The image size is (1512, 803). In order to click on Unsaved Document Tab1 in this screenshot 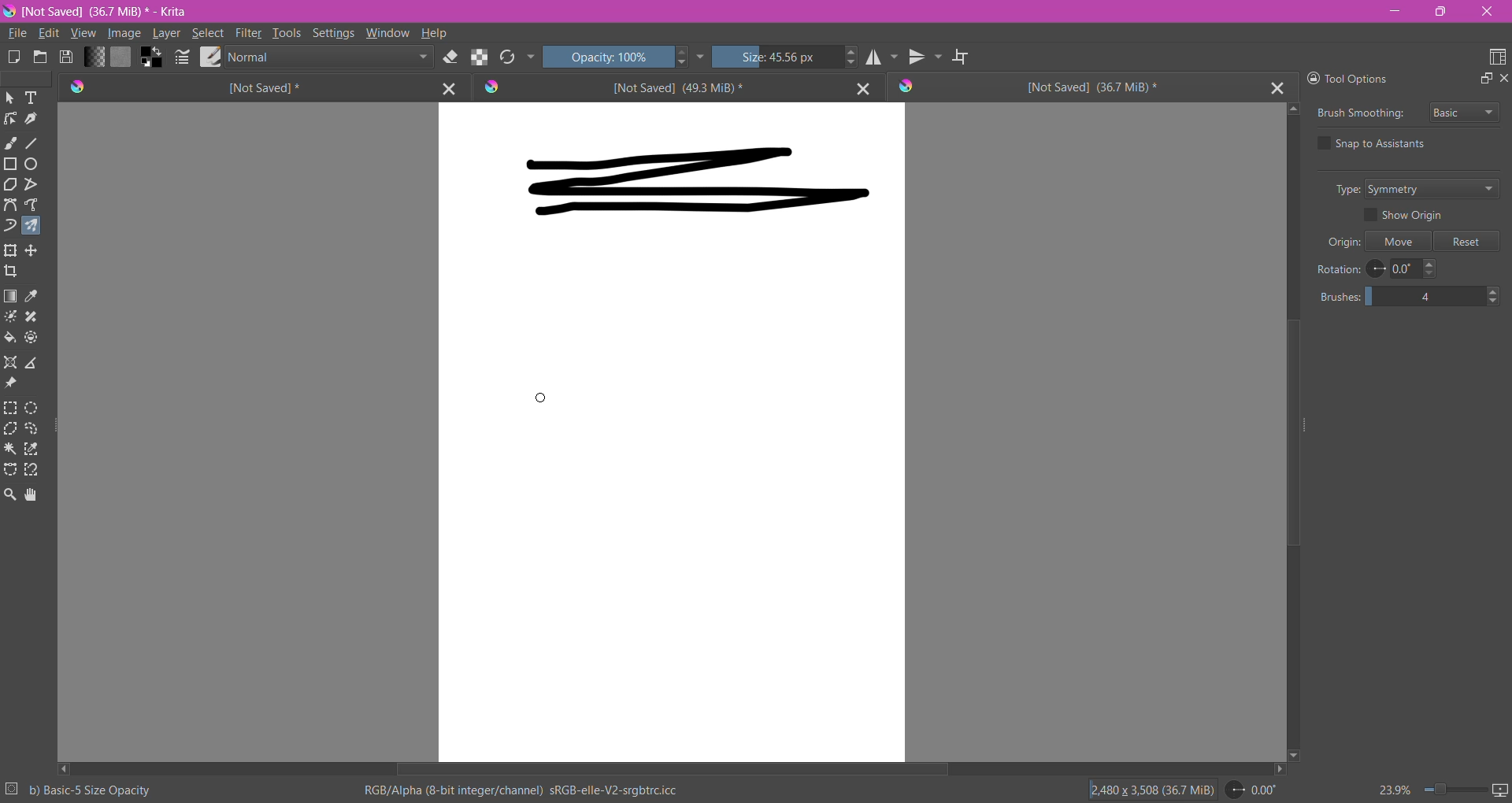, I will do `click(236, 87)`.